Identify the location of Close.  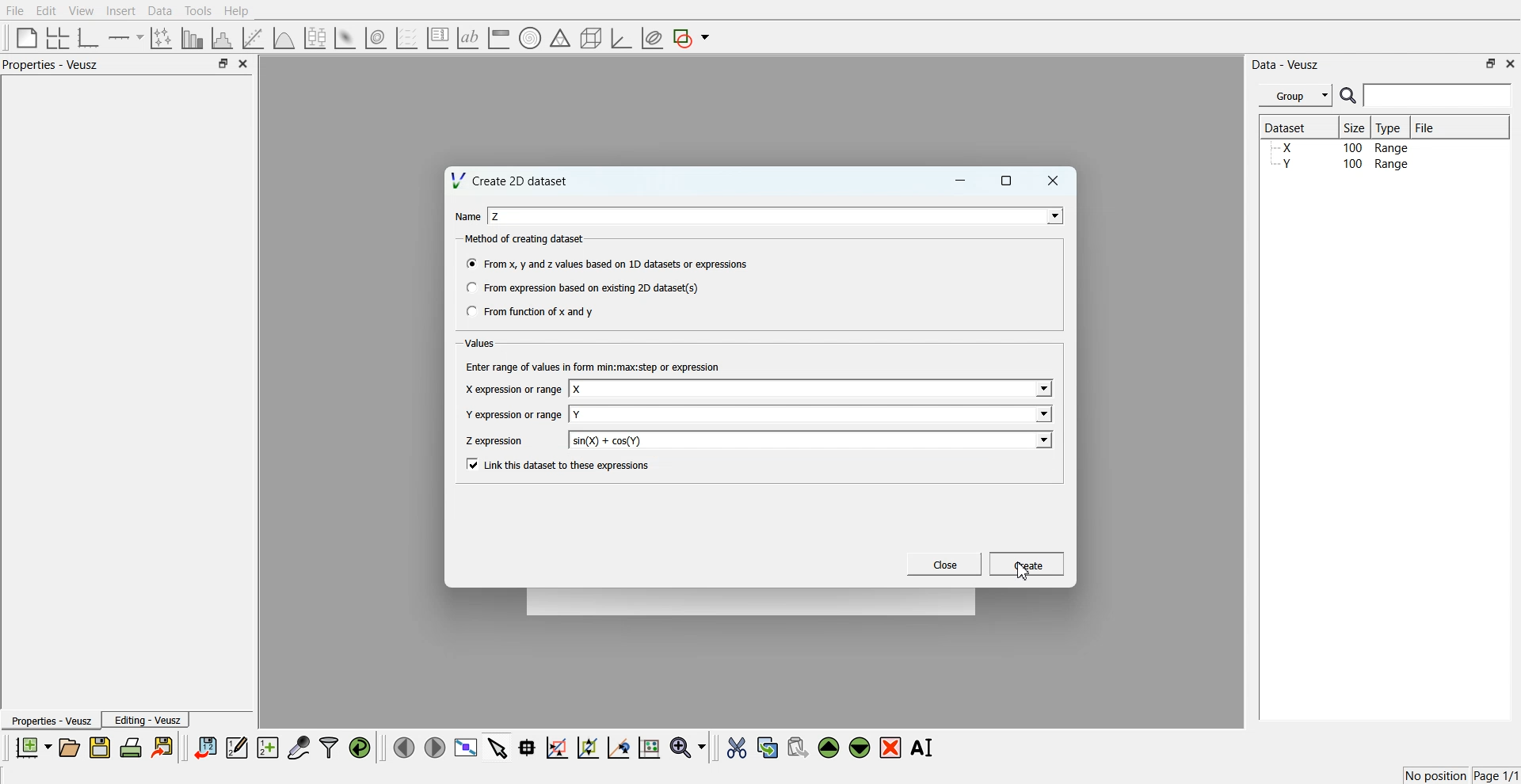
(1511, 63).